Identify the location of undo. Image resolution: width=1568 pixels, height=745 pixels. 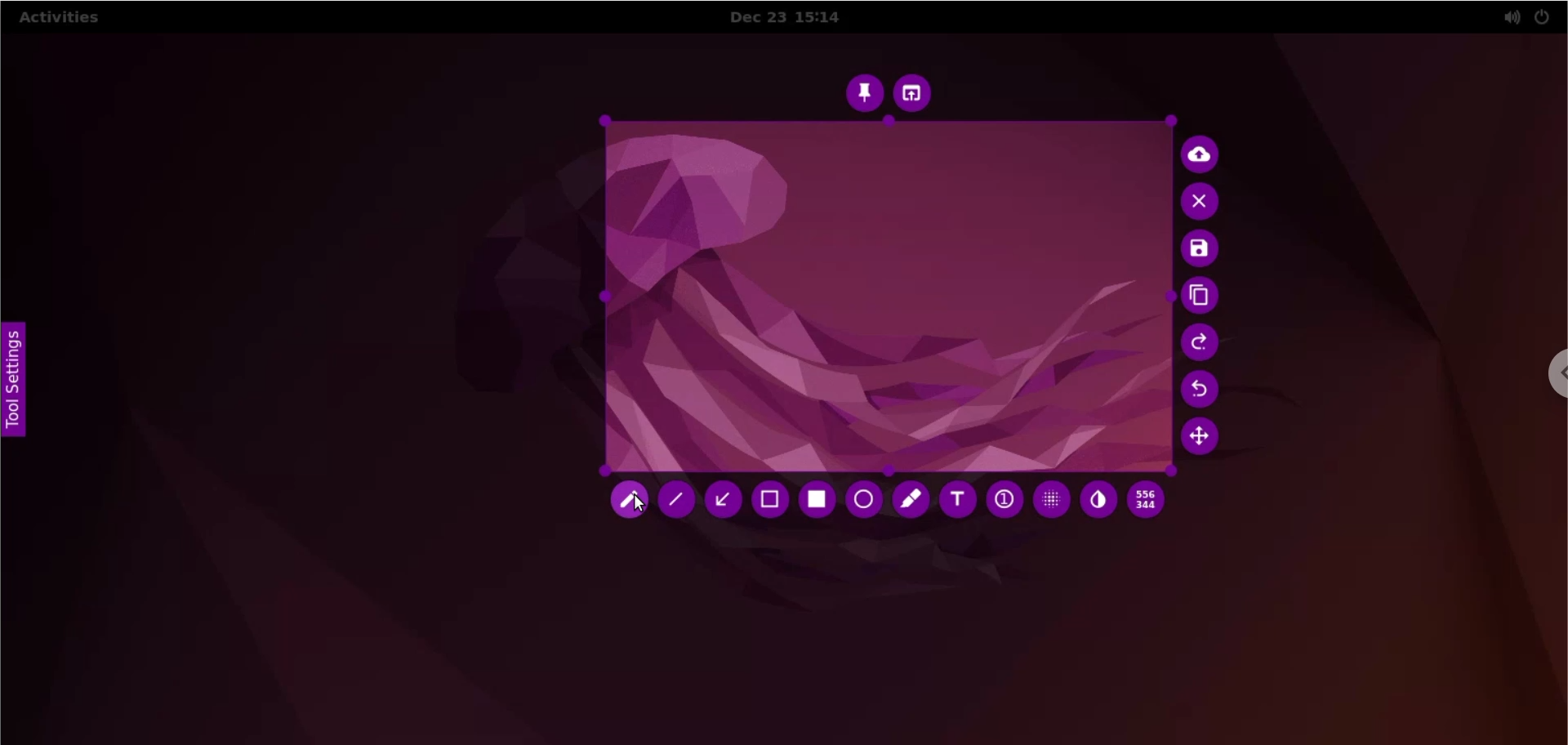
(1204, 390).